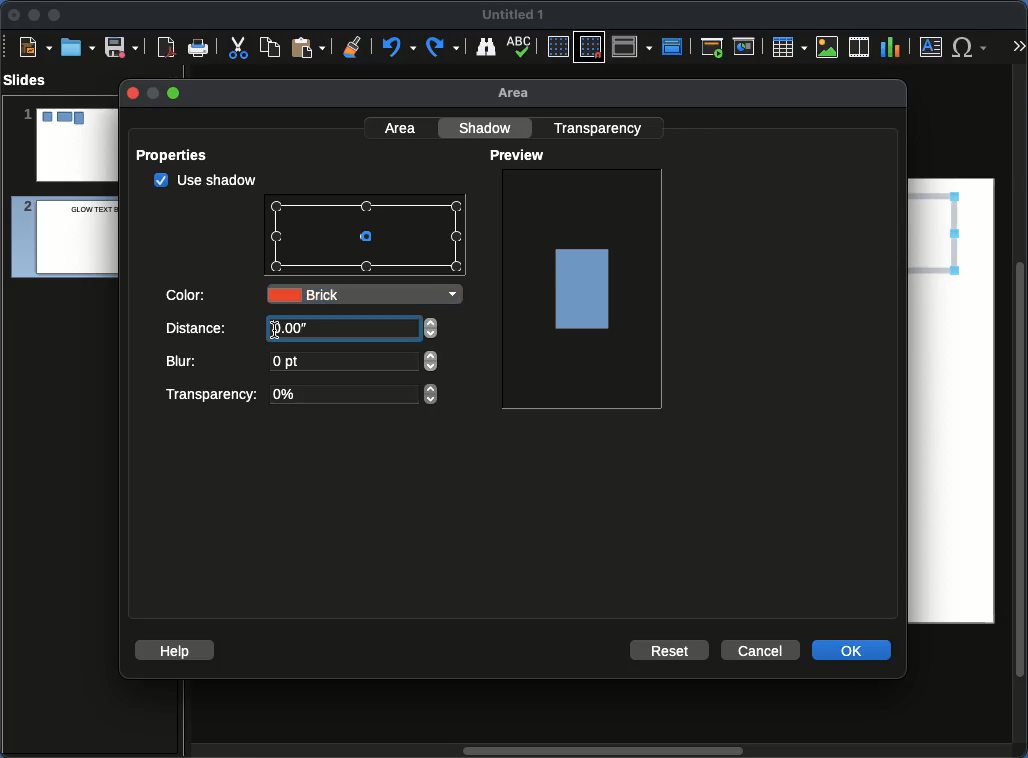 Image resolution: width=1028 pixels, height=758 pixels. What do you see at coordinates (131, 93) in the screenshot?
I see `close` at bounding box center [131, 93].